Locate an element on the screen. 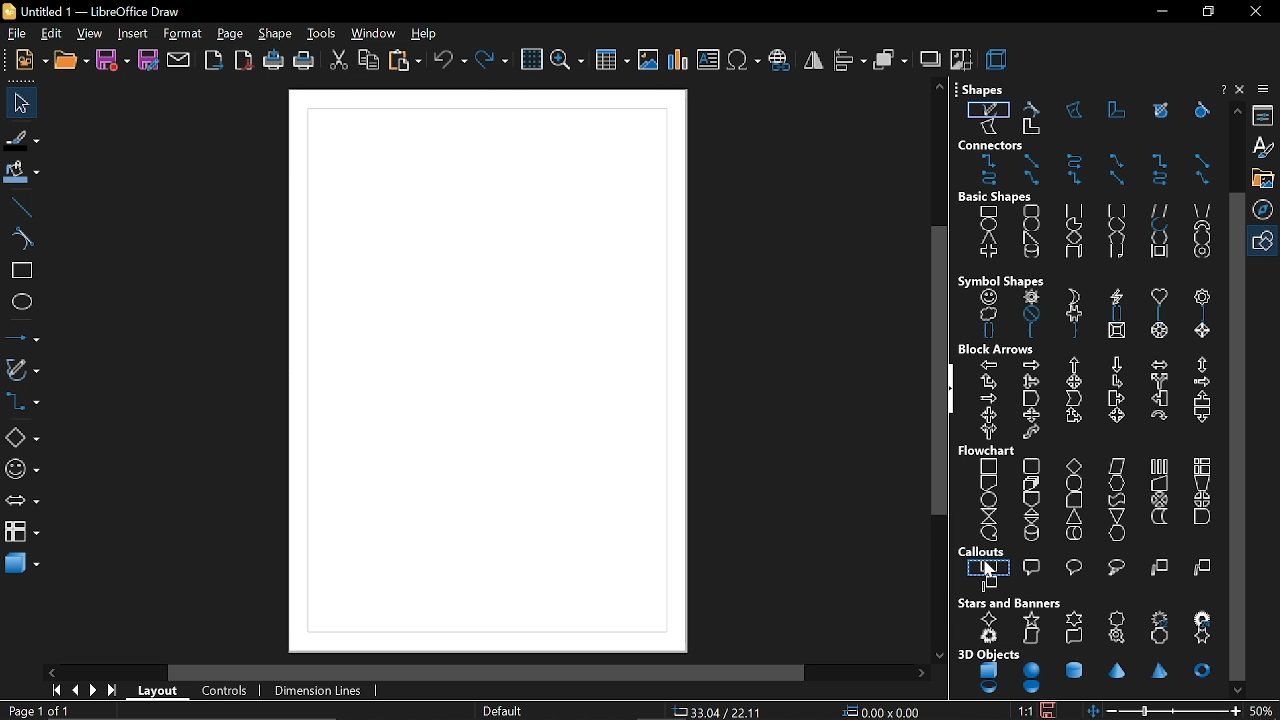 This screenshot has width=1280, height=720. connector is located at coordinates (987, 499).